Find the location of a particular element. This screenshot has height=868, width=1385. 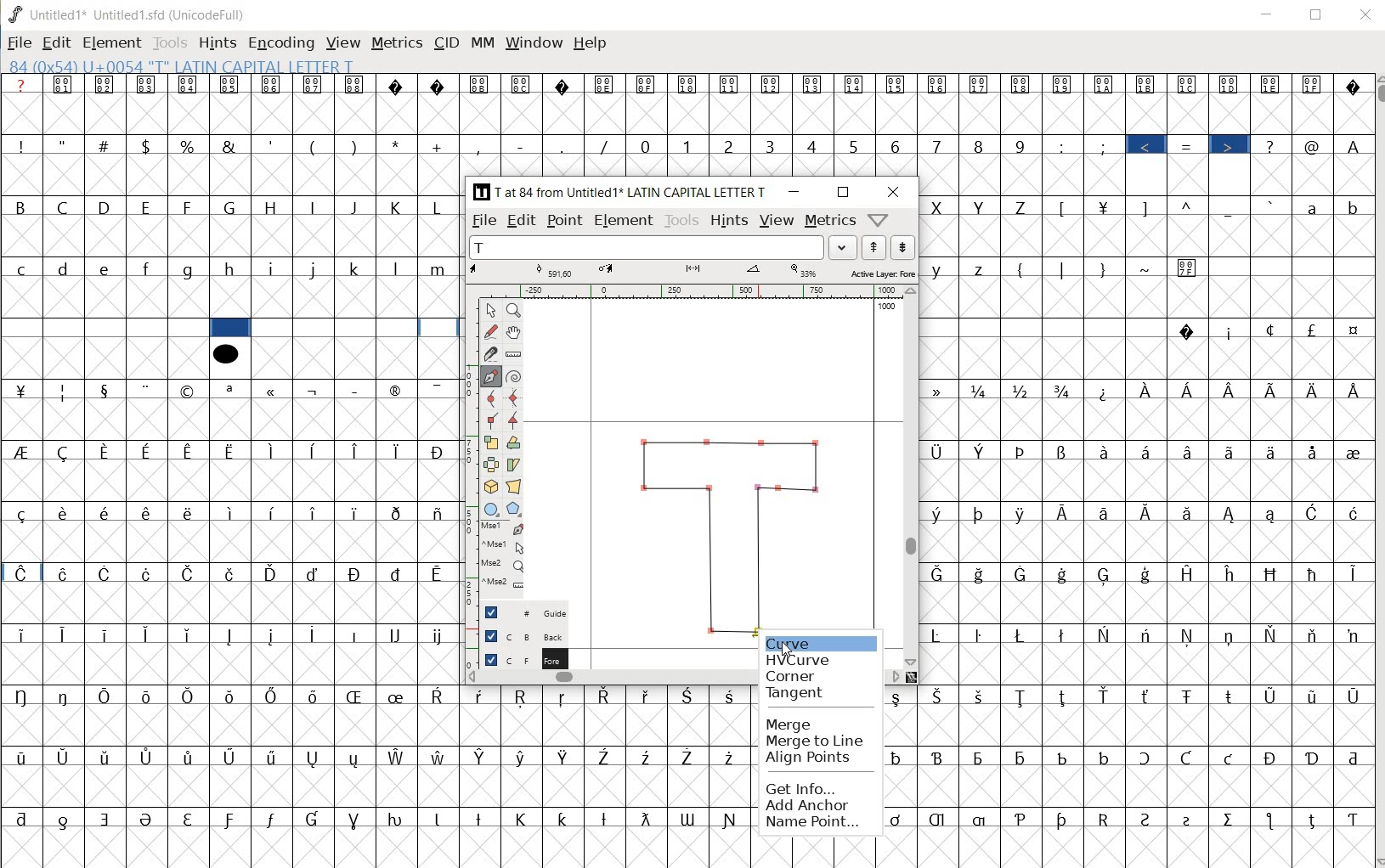

Symbol is located at coordinates (1350, 572).